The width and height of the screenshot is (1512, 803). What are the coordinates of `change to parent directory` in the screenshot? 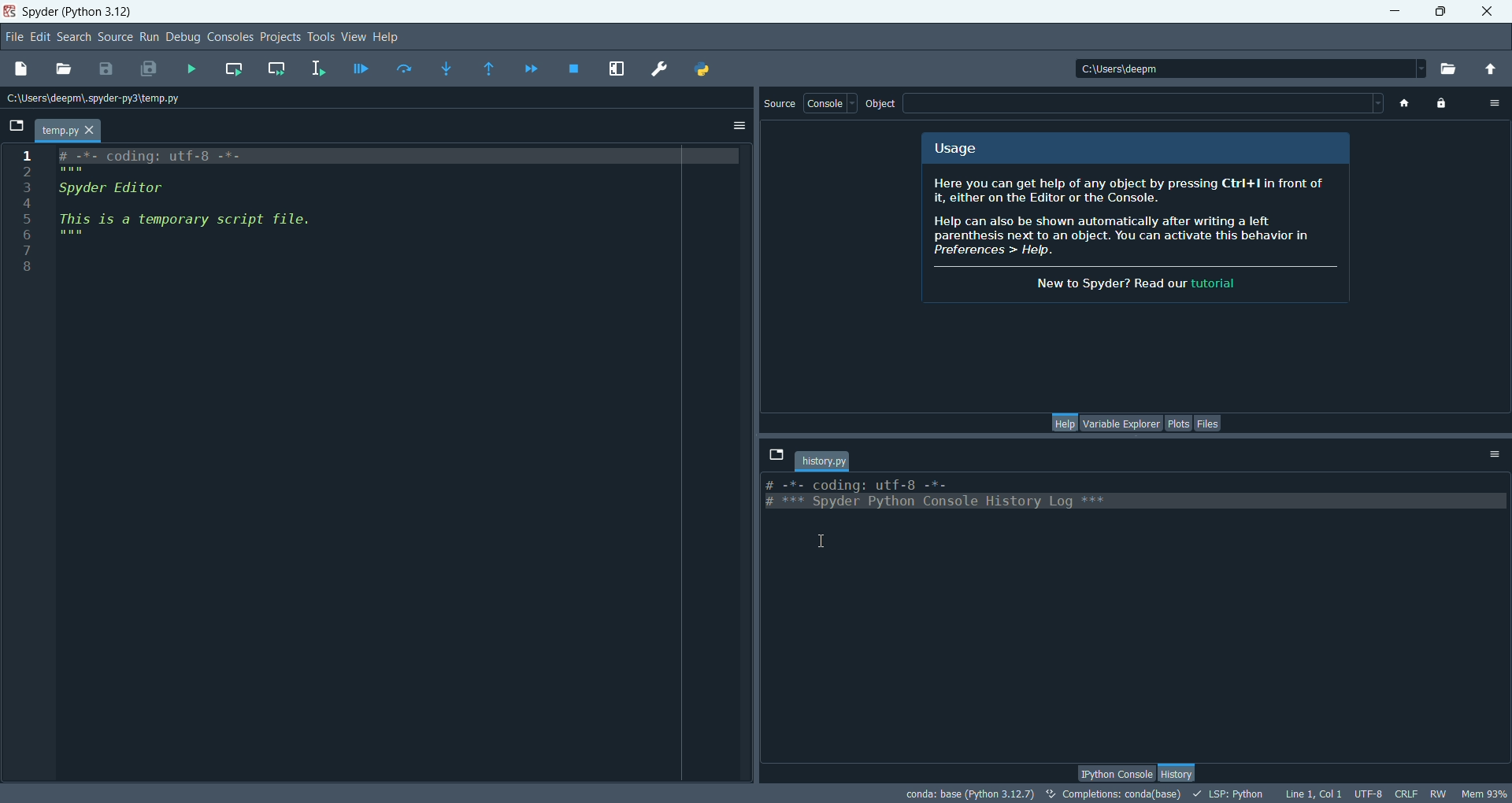 It's located at (1495, 70).